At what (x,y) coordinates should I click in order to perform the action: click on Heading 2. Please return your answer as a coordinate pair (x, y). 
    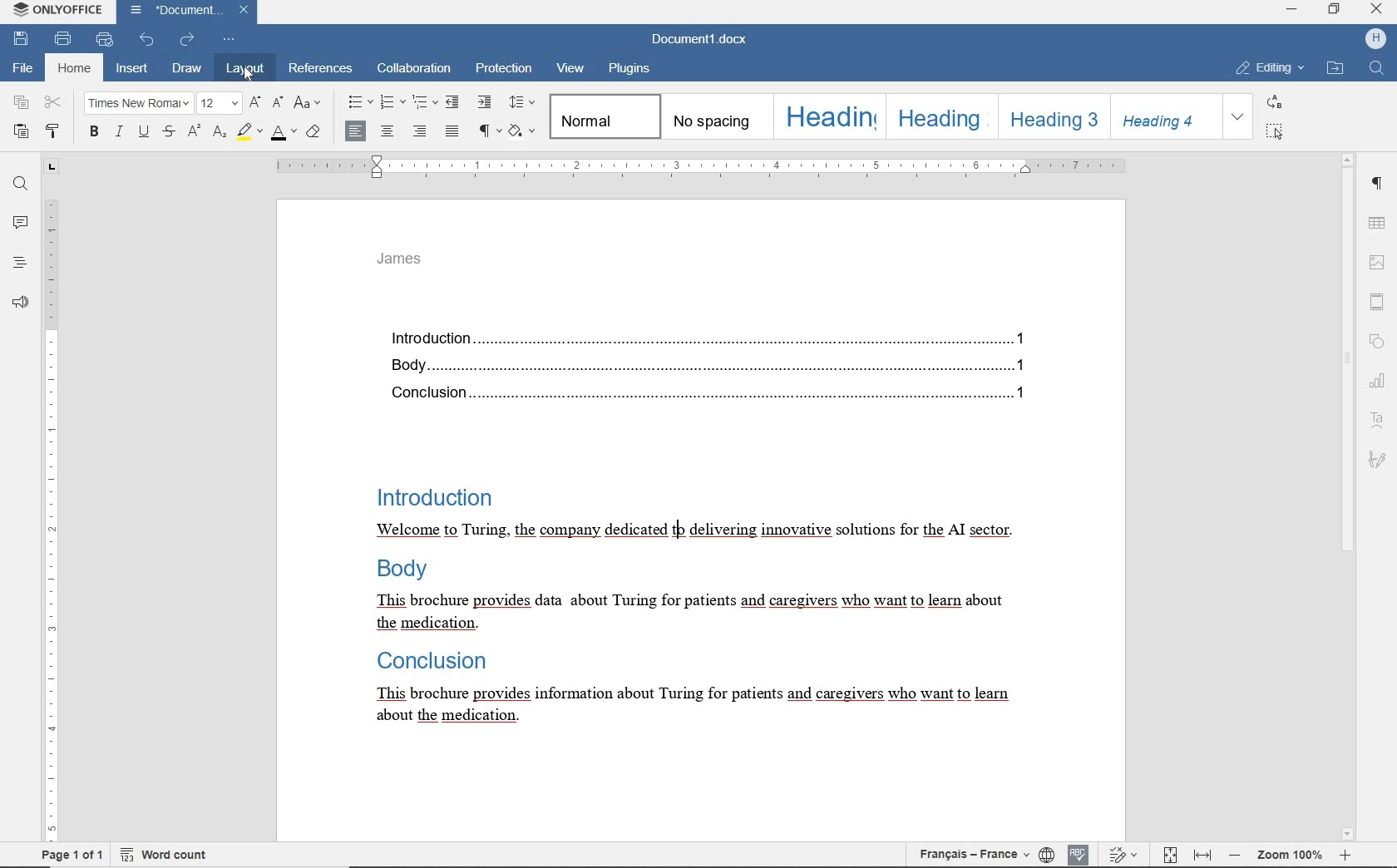
    Looking at the image, I should click on (938, 115).